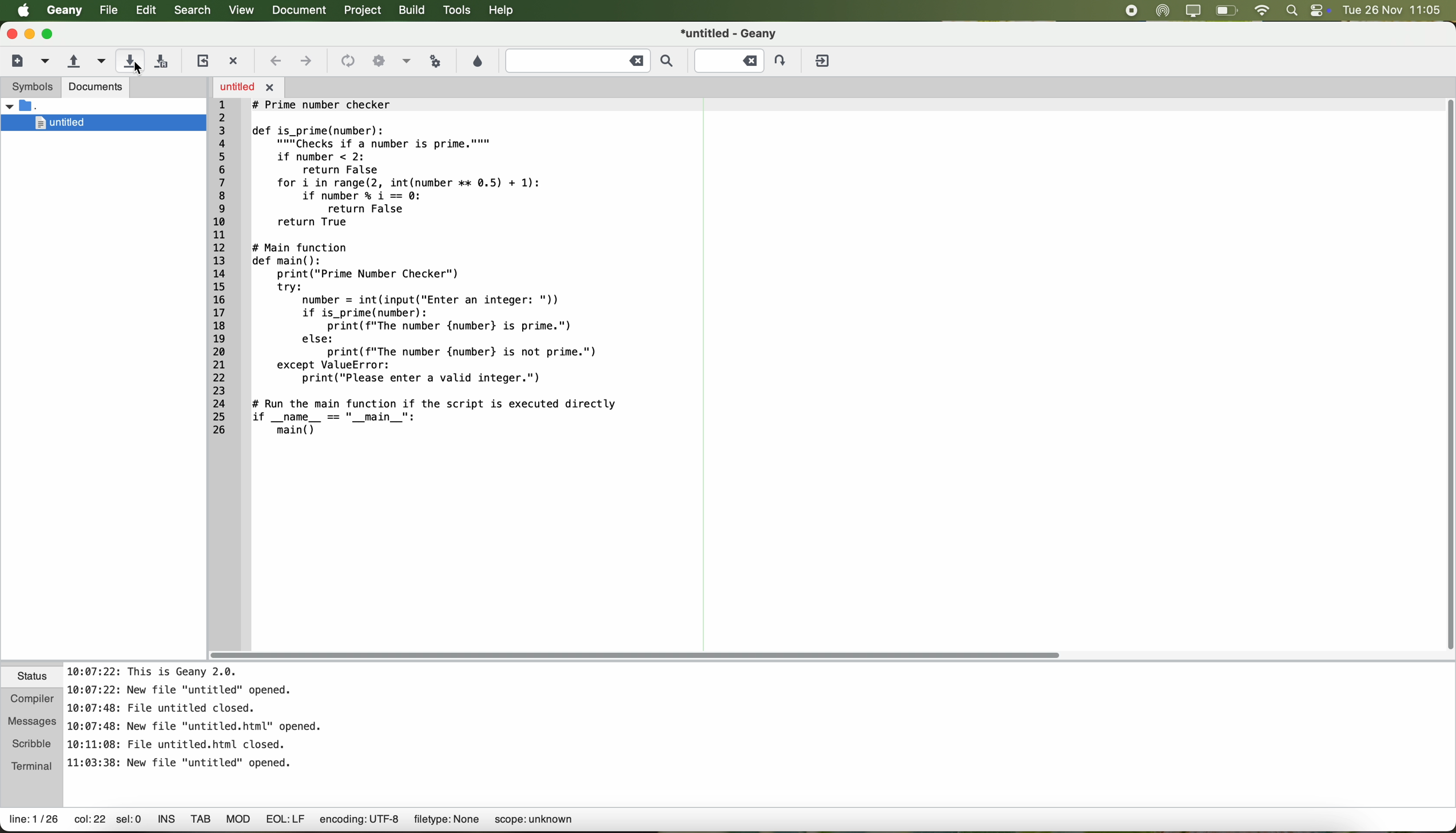 This screenshot has height=833, width=1456. I want to click on date and hour, so click(1397, 10).